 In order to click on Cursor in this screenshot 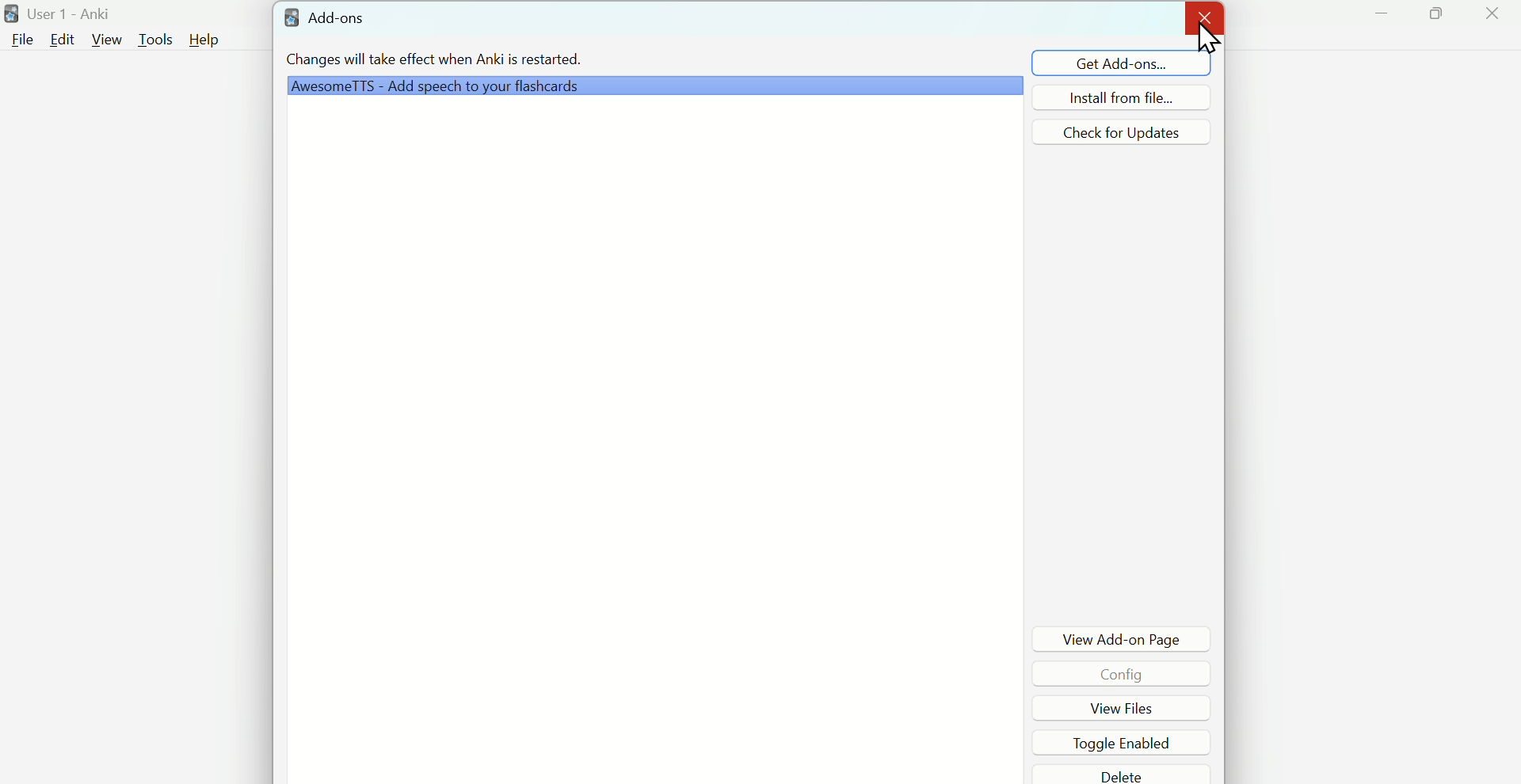, I will do `click(1208, 47)`.